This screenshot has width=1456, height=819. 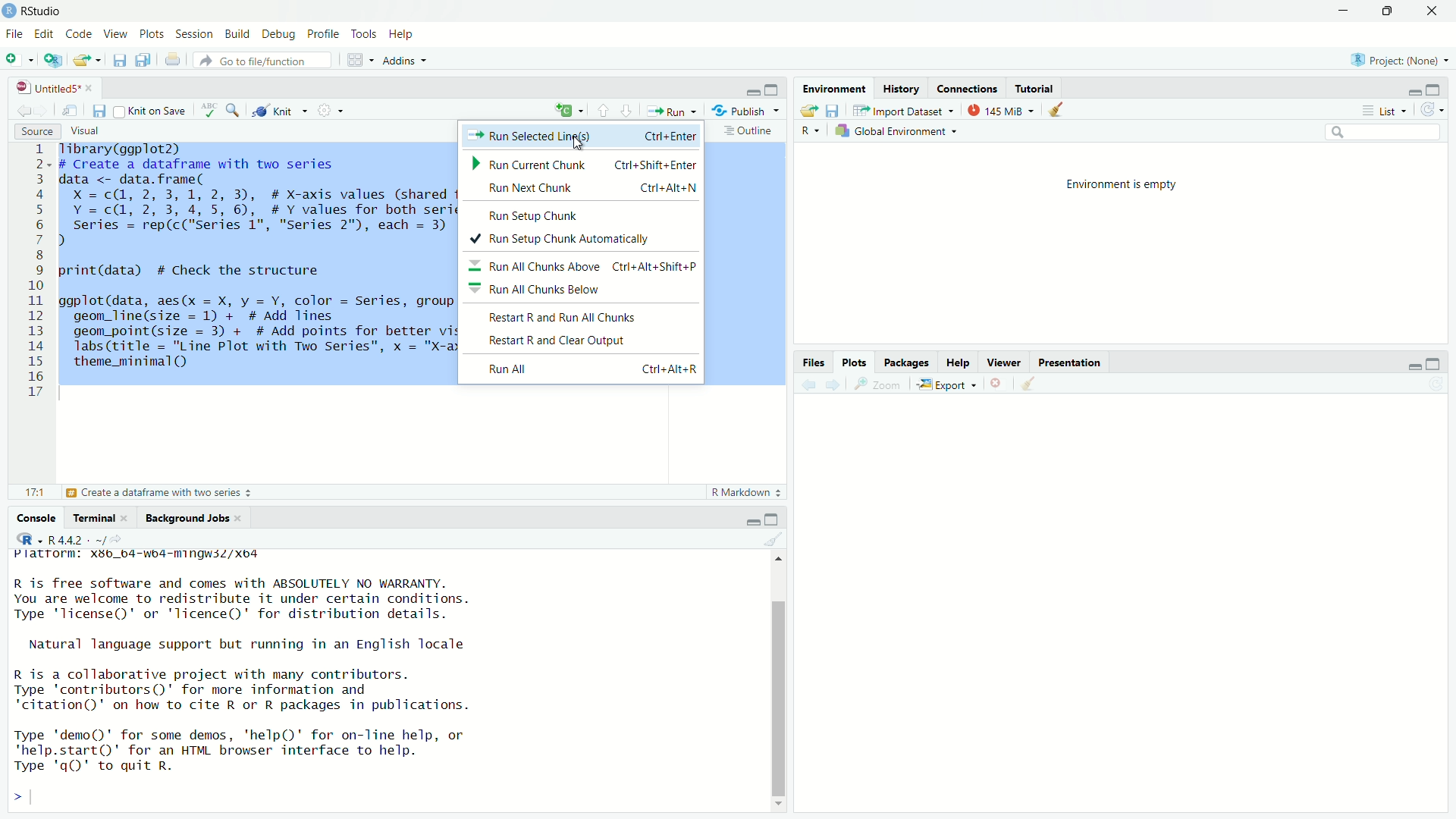 I want to click on Tibrary(ggplot2)
# Create a dataframe with two series
data <- data.frame(
X =c(@, 2, 3,1, 2, 3), # X-axis values (shared for both series)
Y =c(@, 2, 3, 4,5, 6), #Y values for both series
series = rep(c("series 1", "Series 2"), each = 3) # Identify each series
1
print(data) # Check the structure
ggplot(data, aes(x = X, y = Y, color = Series, group = Series)) +
geom_line(size = 1) + # Add lines
geom_point(size = 3) + # Add points for better visibility
Tabs (title = "Line Plot with Two Series", x = "X-axis", y = "Y-axis") +
theme_minimal(), so click(x=258, y=264).